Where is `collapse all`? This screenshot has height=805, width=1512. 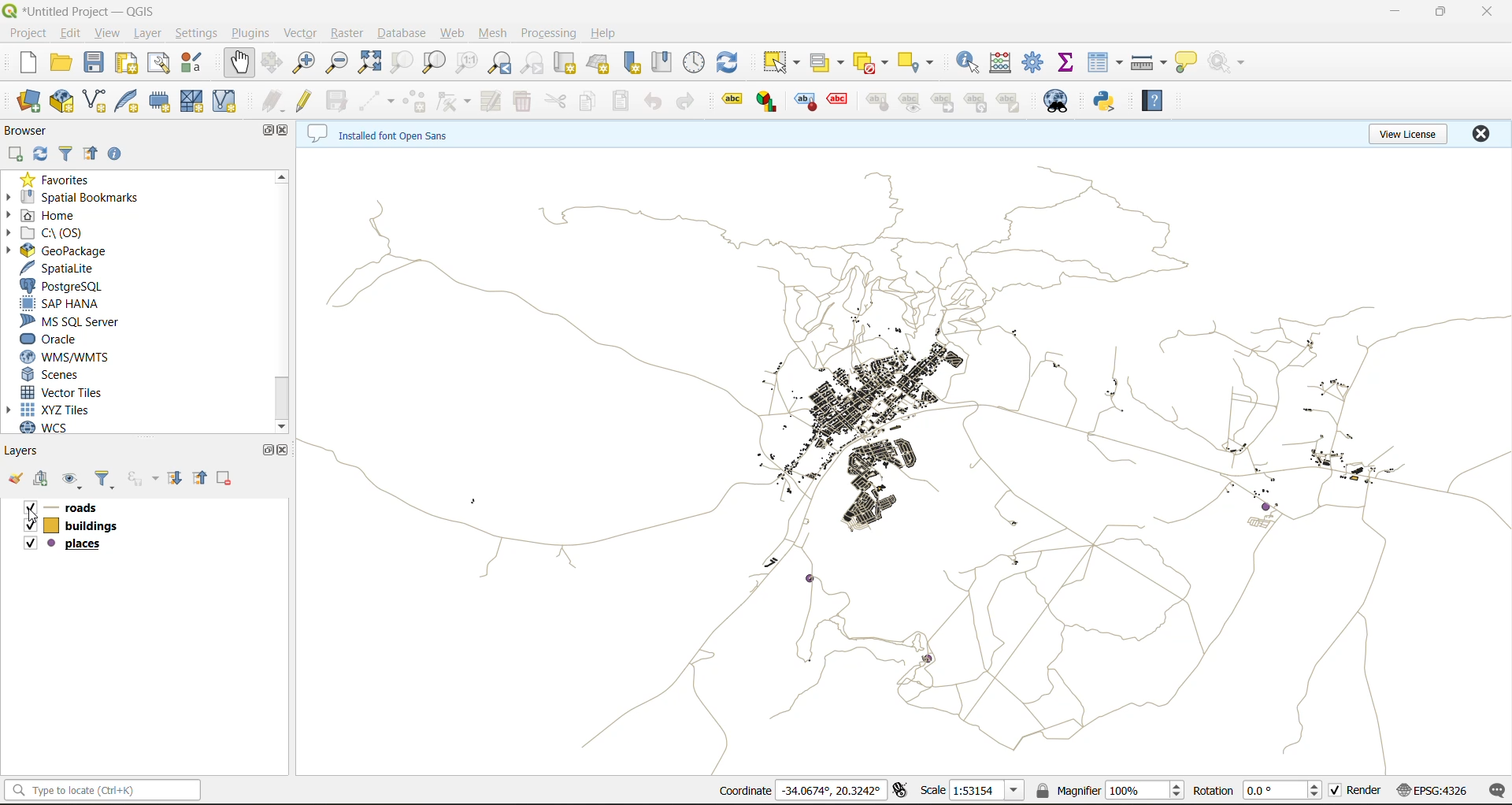
collapse all is located at coordinates (202, 480).